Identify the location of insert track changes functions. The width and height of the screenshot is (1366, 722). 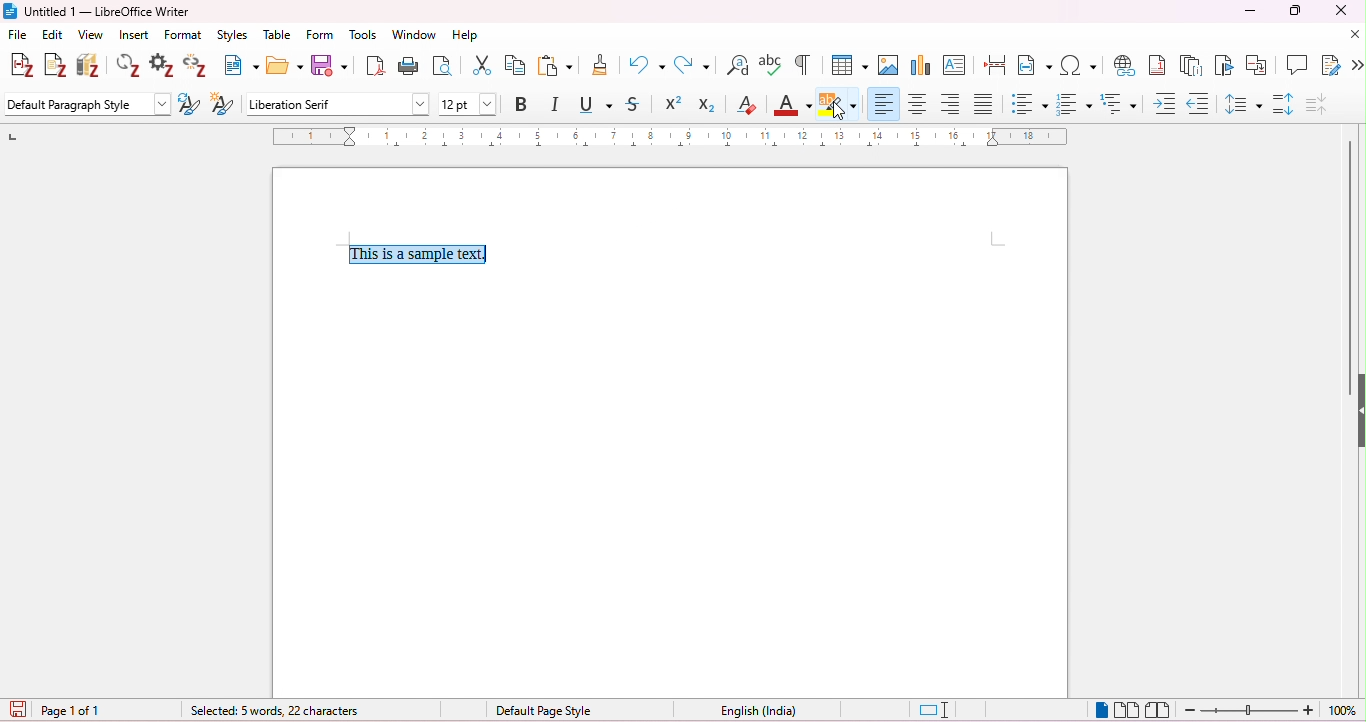
(1331, 64).